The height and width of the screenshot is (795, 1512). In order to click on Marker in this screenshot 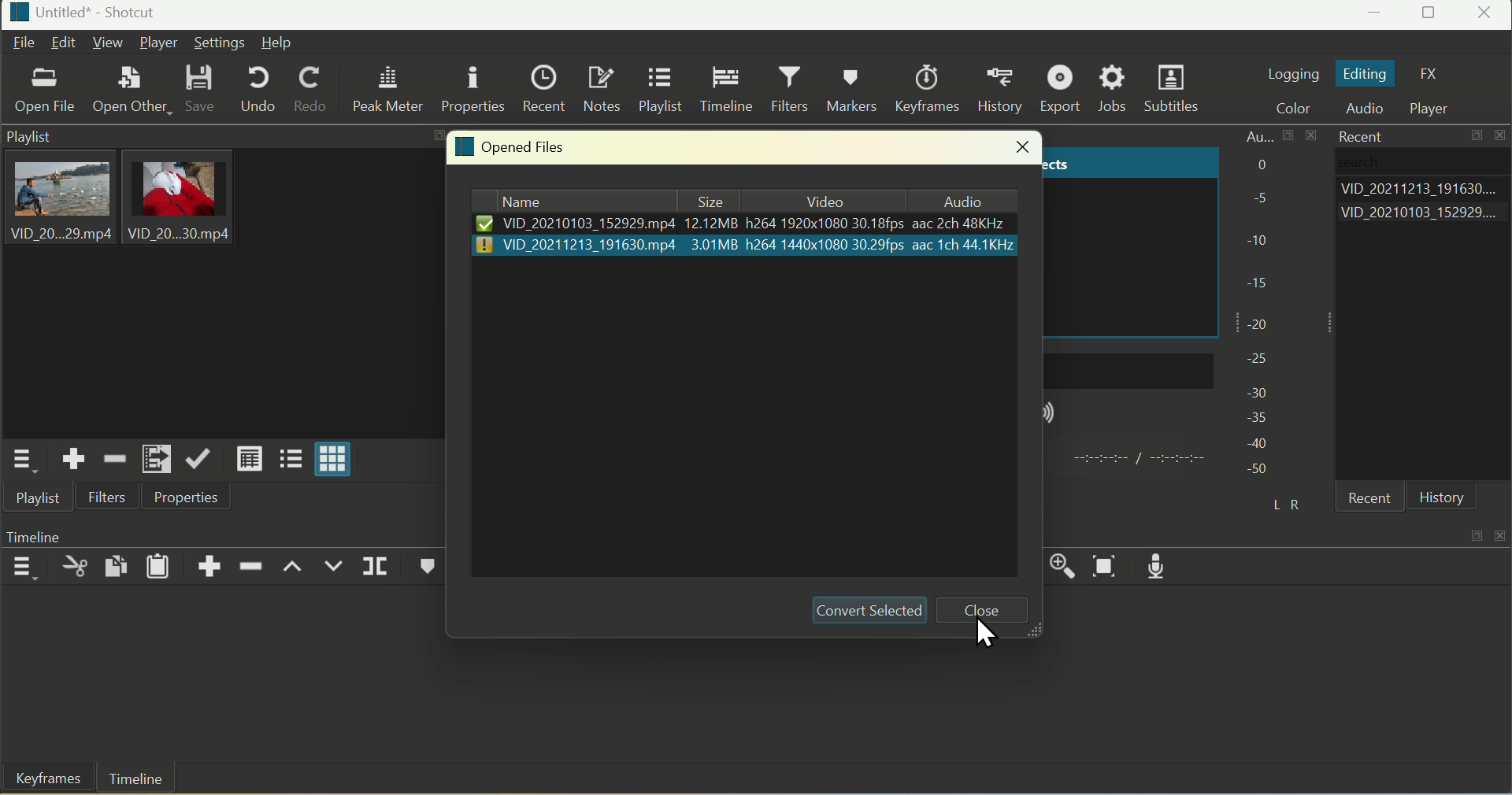, I will do `click(423, 568)`.